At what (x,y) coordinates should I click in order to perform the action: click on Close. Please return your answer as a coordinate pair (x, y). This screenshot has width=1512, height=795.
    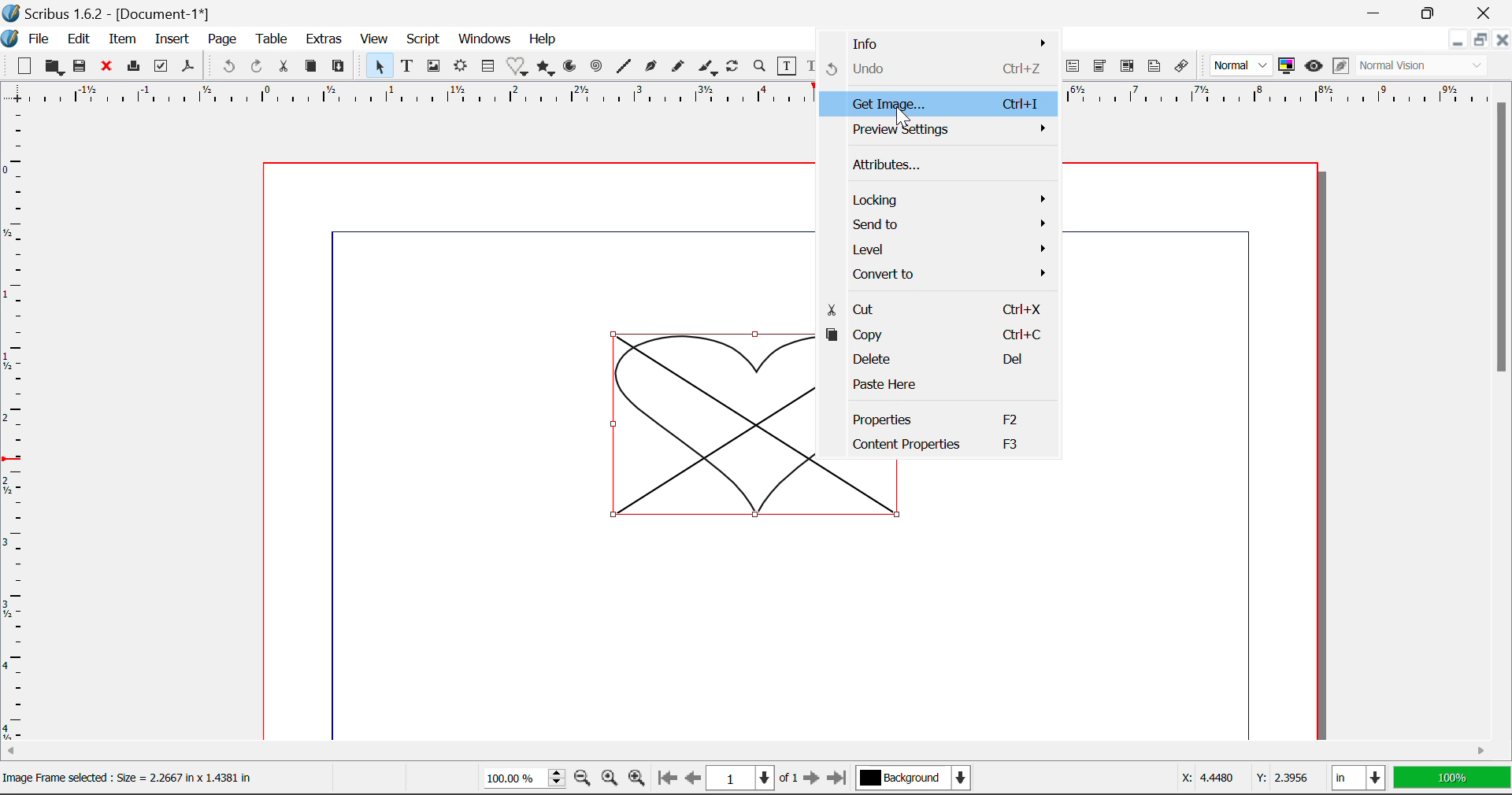
    Looking at the image, I should click on (1503, 42).